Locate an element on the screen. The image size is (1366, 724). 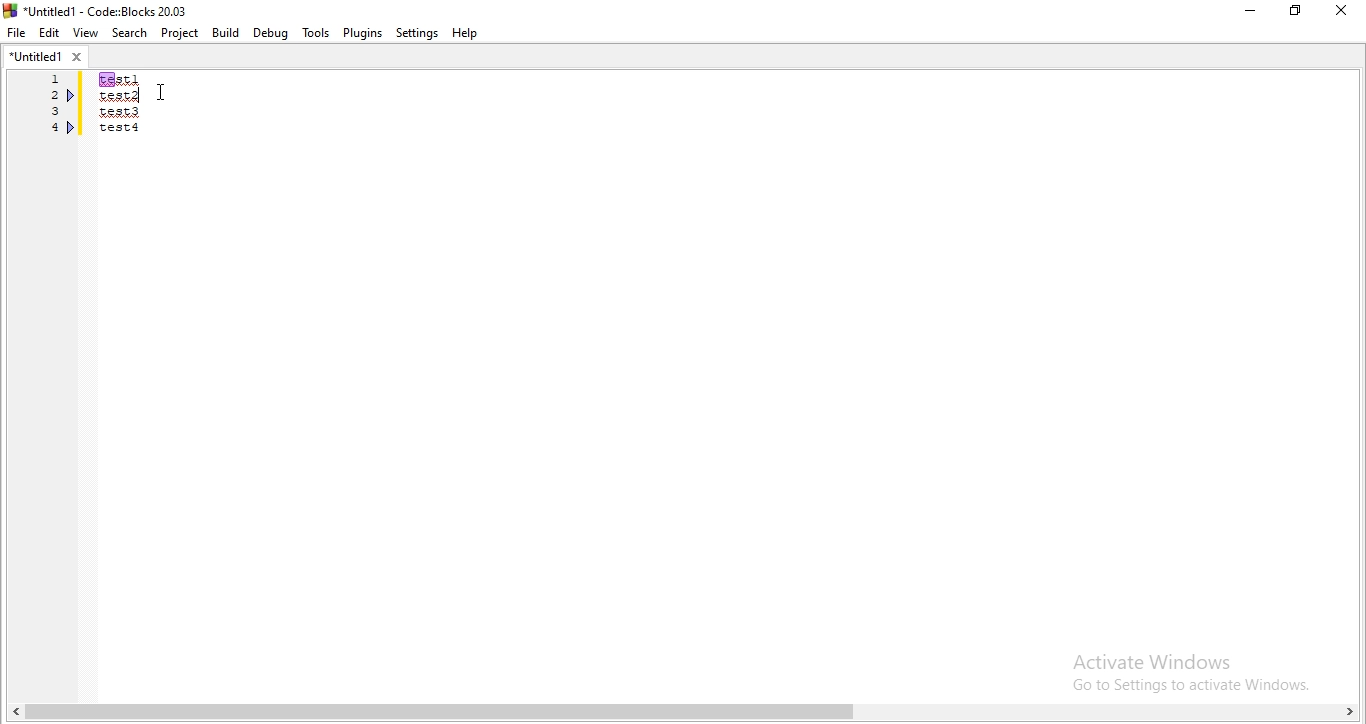
Restore is located at coordinates (1294, 13).